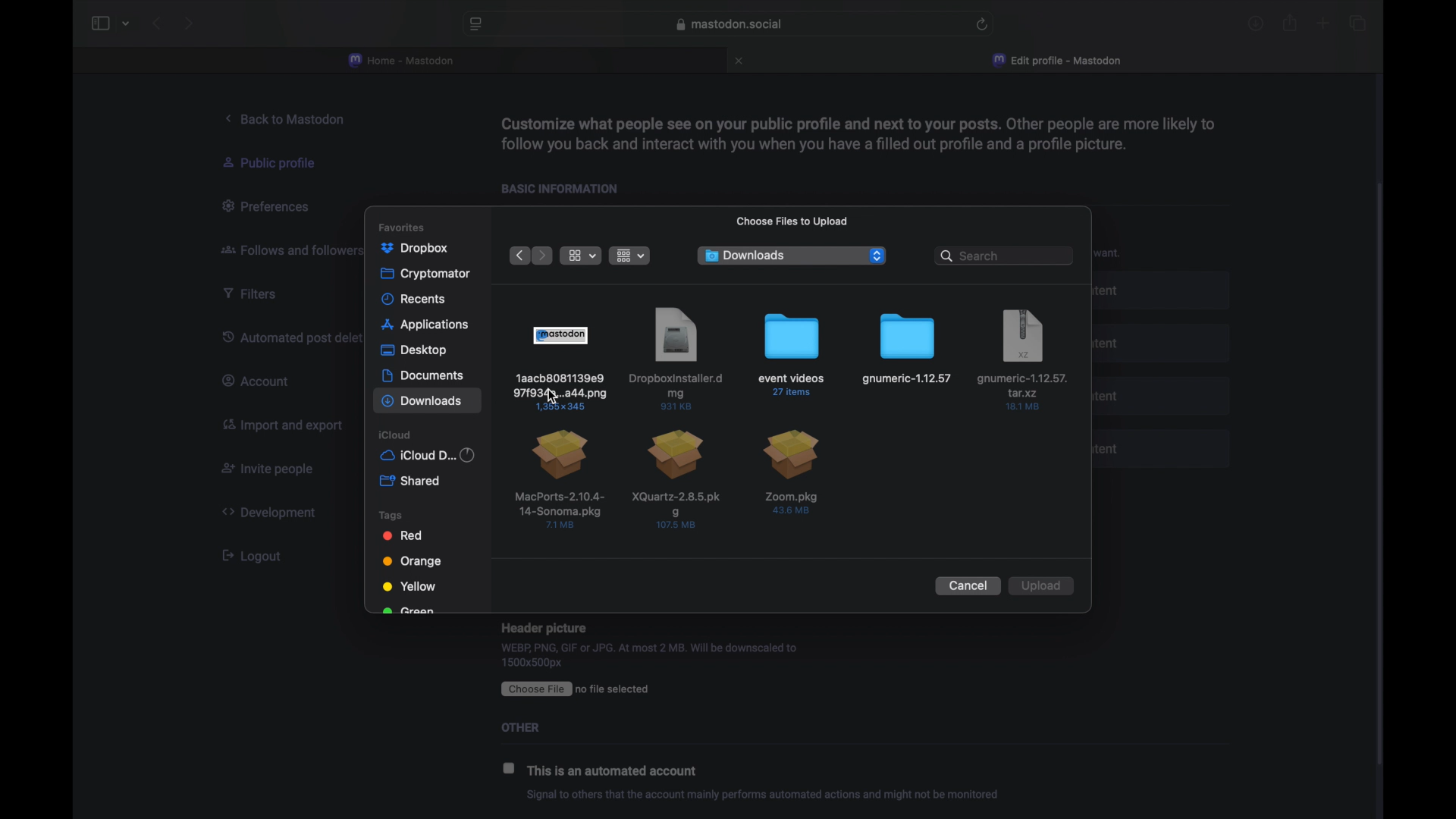 This screenshot has height=819, width=1456. I want to click on info, so click(856, 133).